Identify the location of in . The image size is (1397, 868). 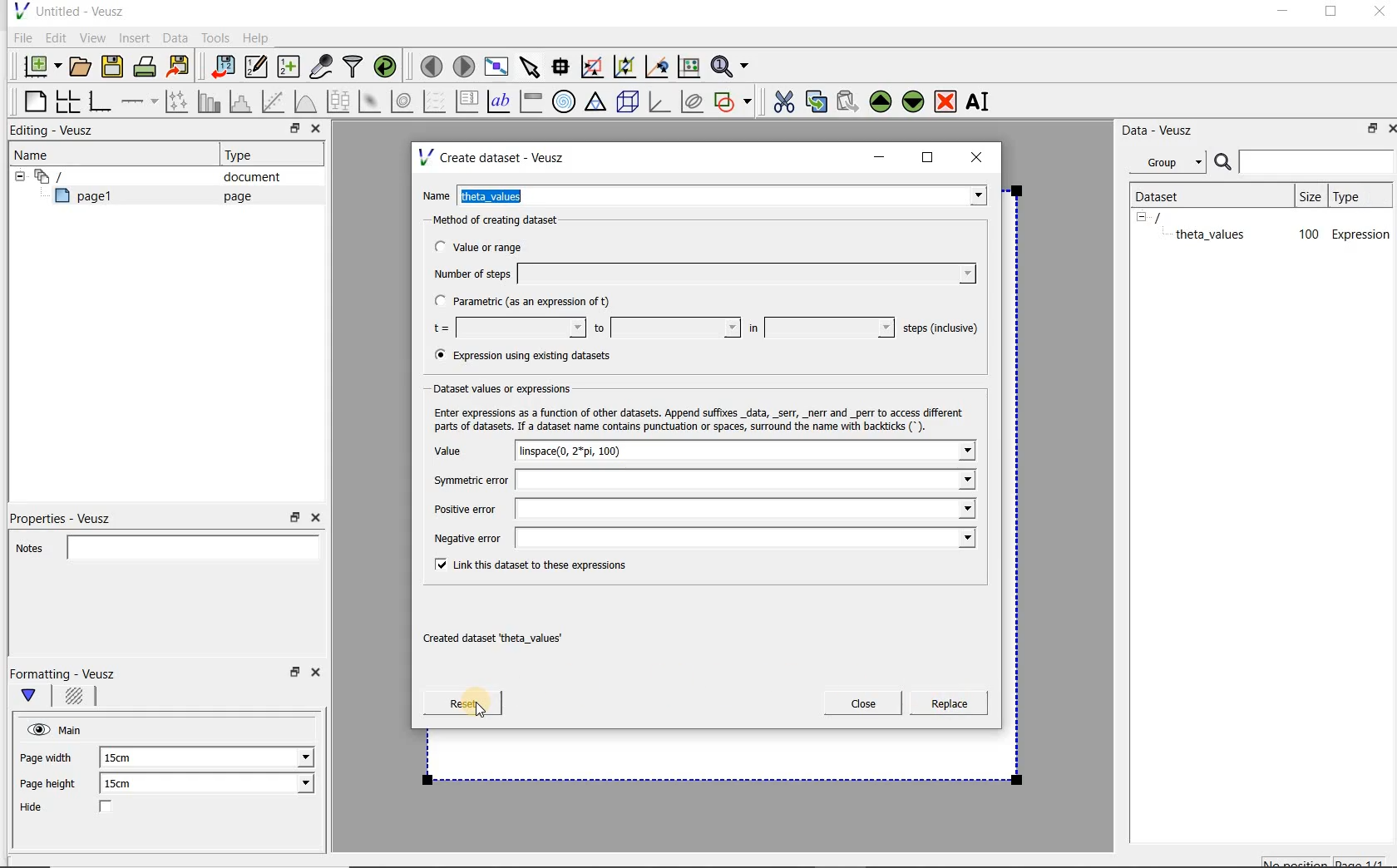
(819, 328).